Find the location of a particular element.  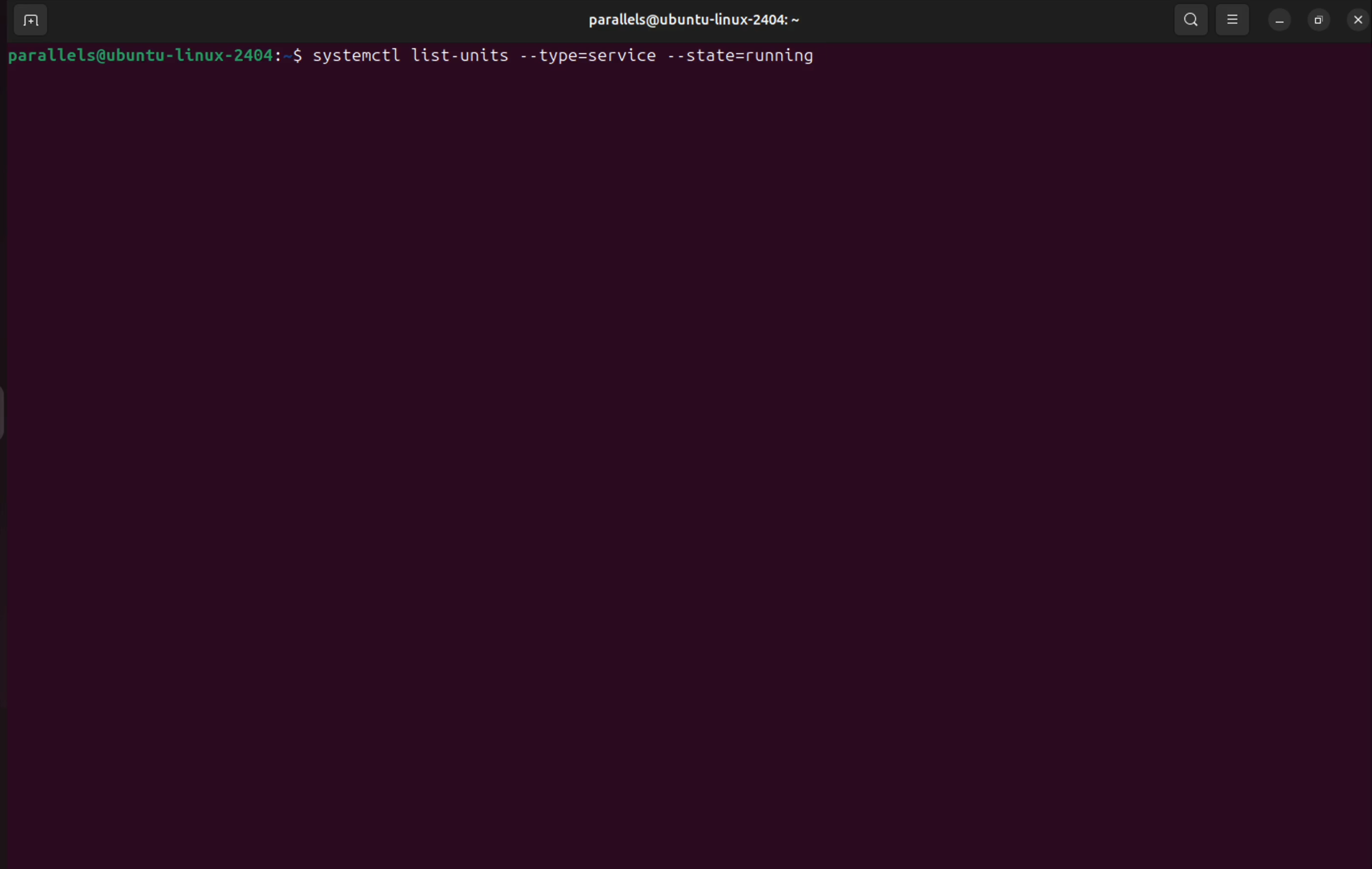

add terminal is located at coordinates (28, 22).